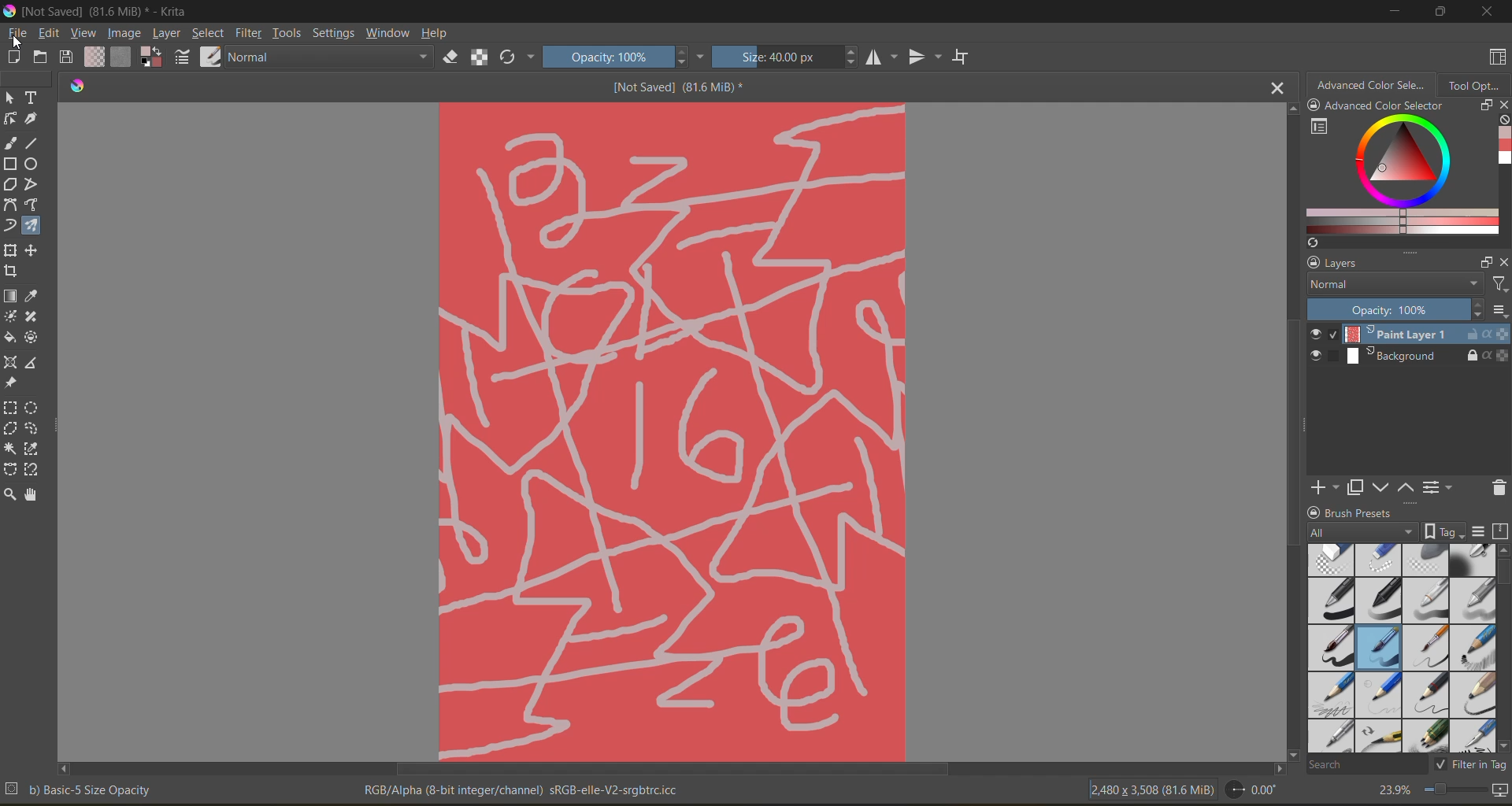 Image resolution: width=1512 pixels, height=806 pixels. What do you see at coordinates (31, 338) in the screenshot?
I see `tool` at bounding box center [31, 338].